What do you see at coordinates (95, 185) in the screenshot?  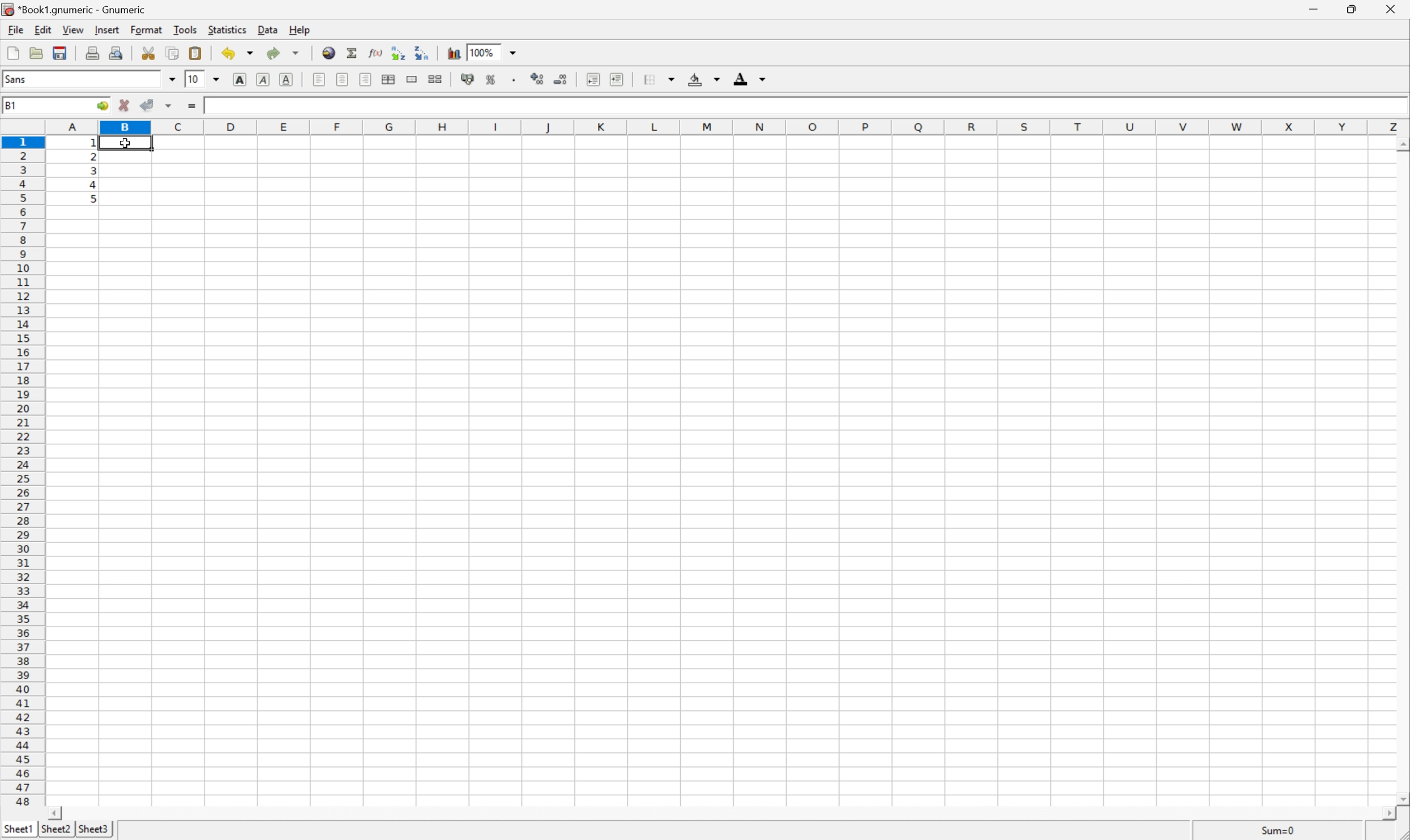 I see `4` at bounding box center [95, 185].